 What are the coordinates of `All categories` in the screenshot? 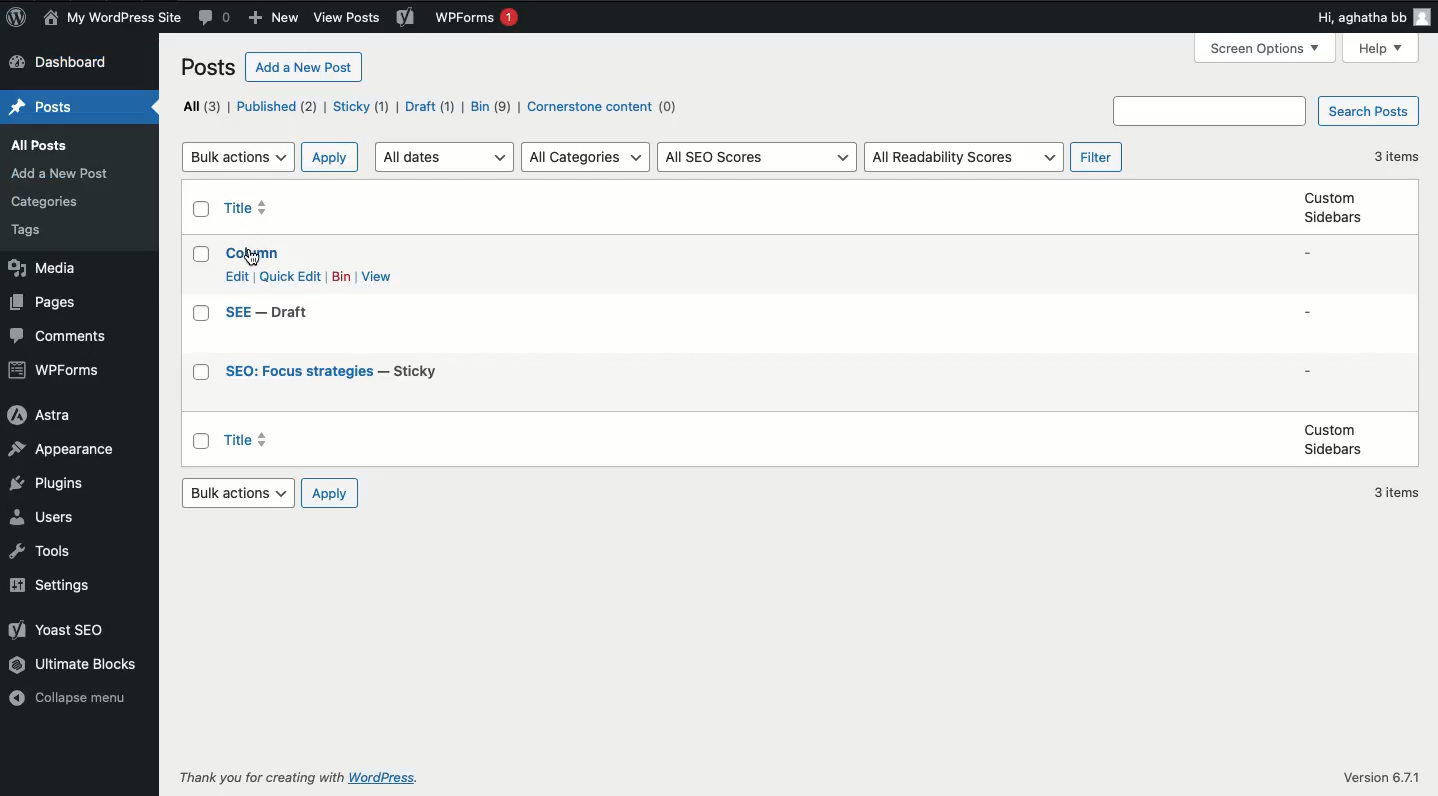 It's located at (585, 158).